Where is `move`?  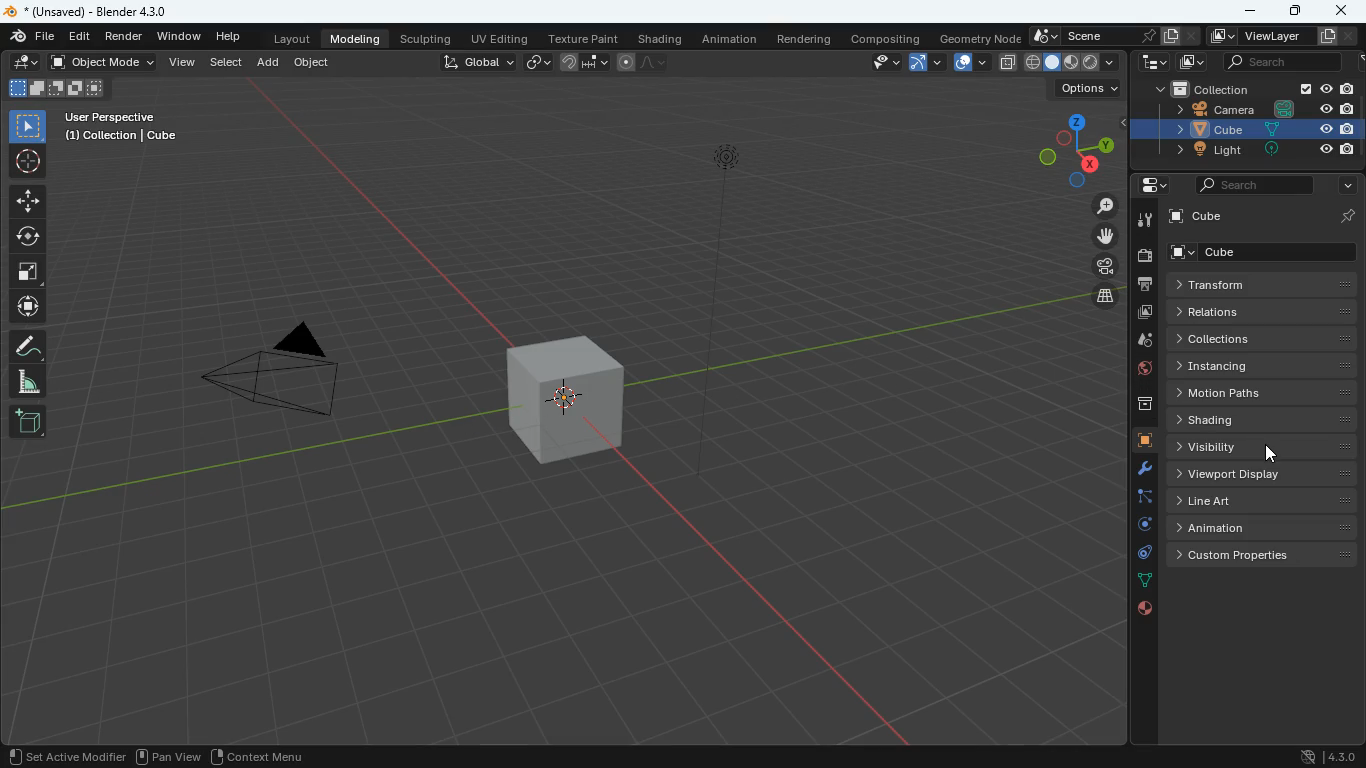 move is located at coordinates (1095, 238).